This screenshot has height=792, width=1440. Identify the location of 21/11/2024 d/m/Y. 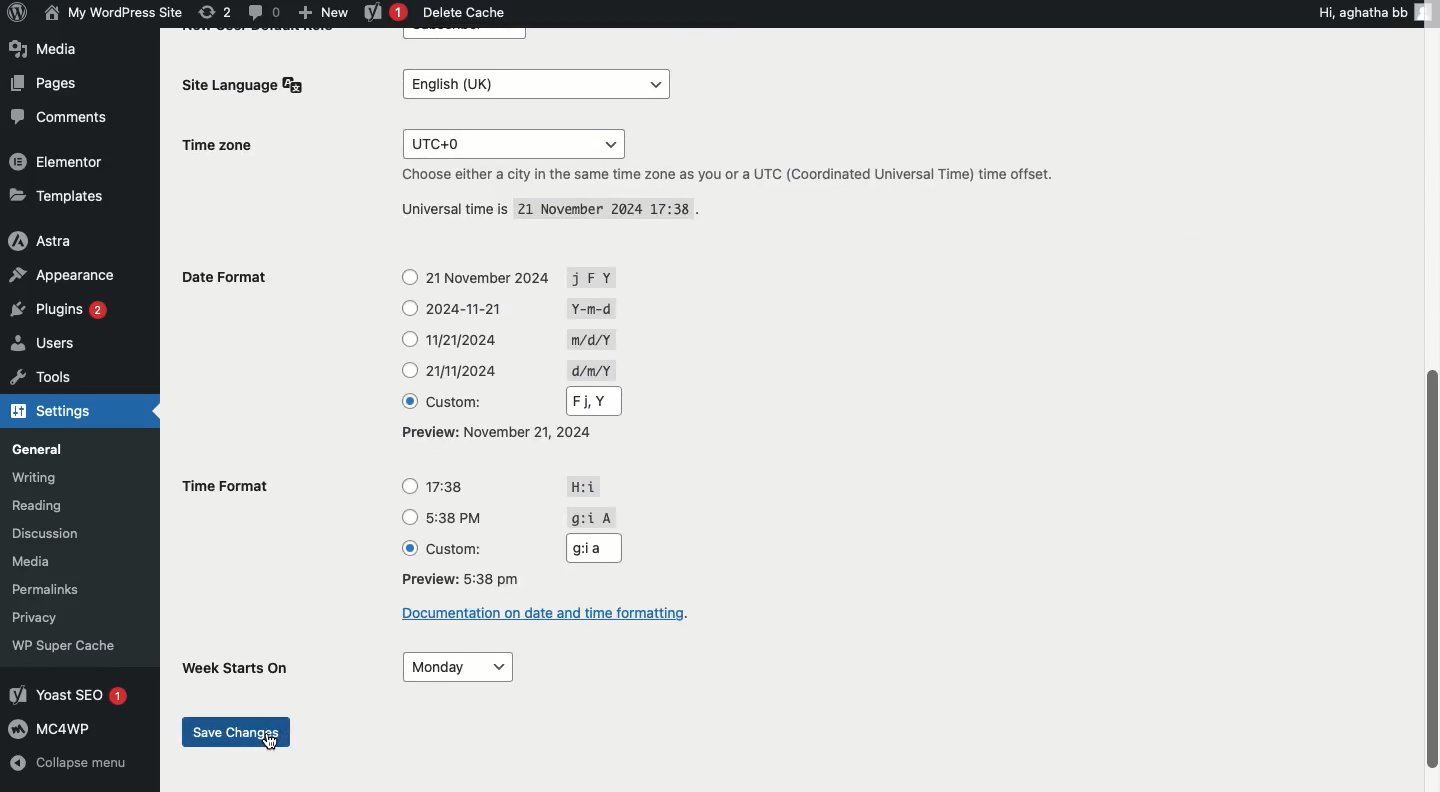
(508, 369).